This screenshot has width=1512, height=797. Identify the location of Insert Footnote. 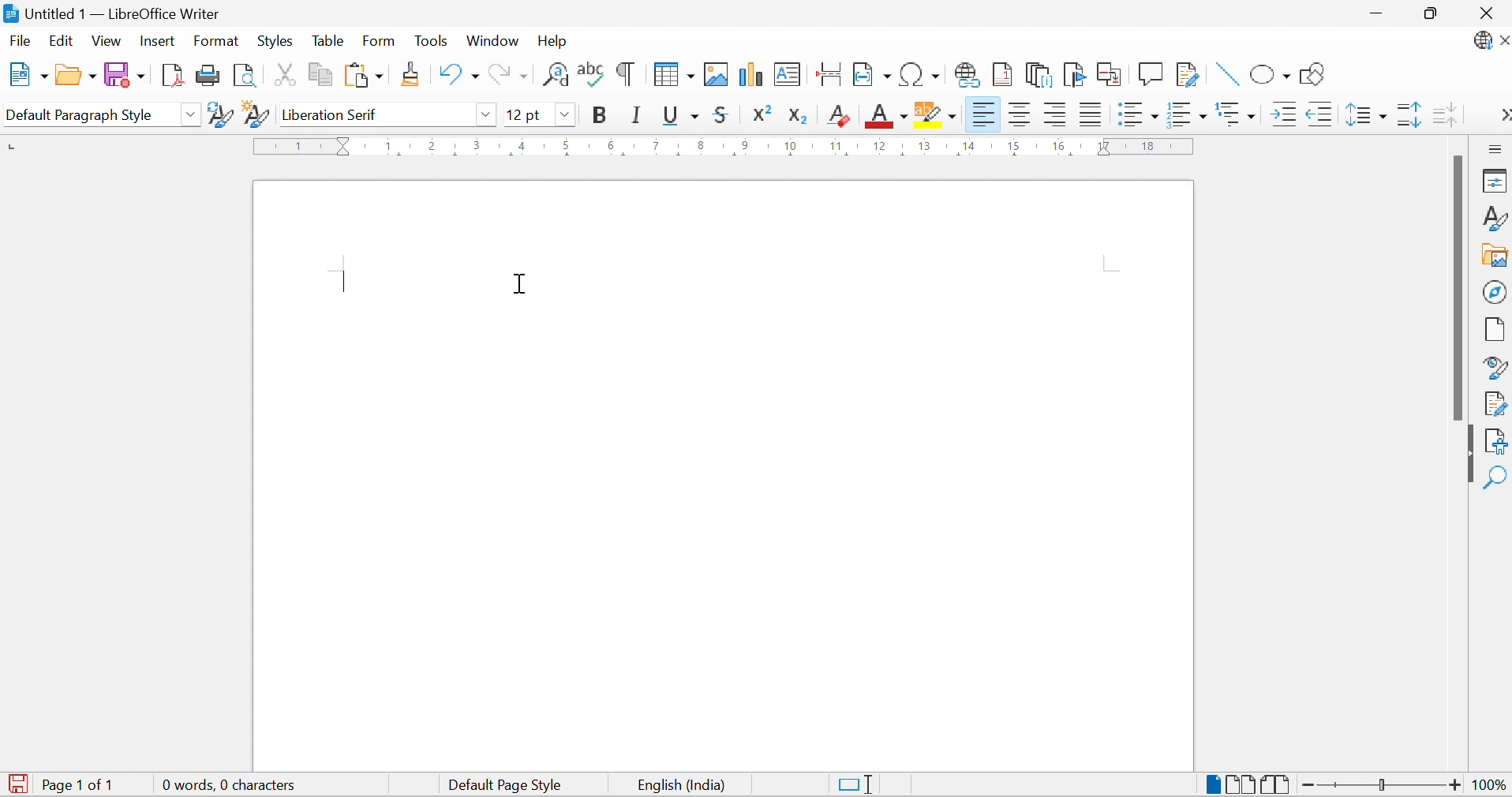
(1001, 75).